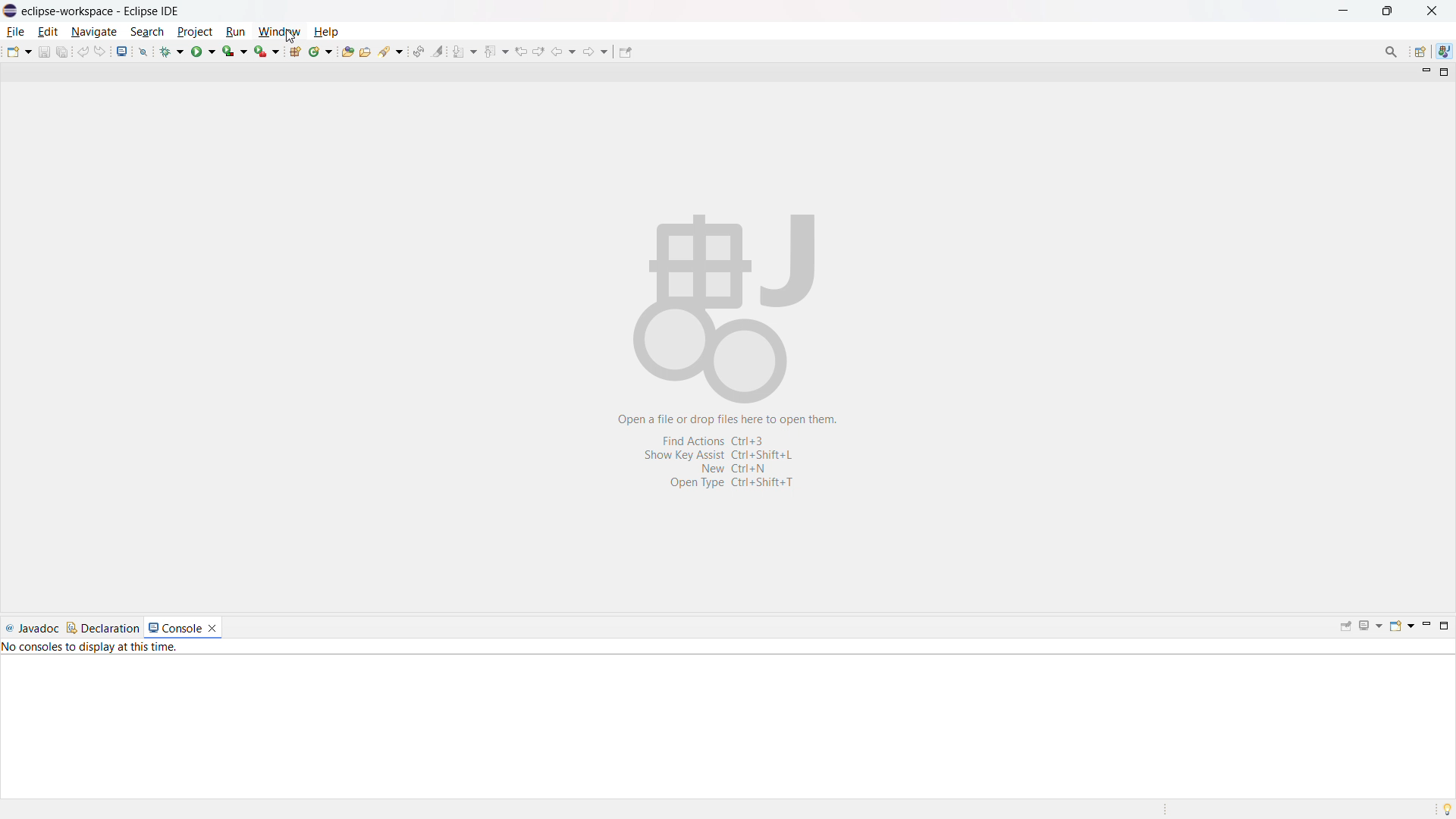 This screenshot has width=1456, height=819. I want to click on open console, so click(1401, 626).